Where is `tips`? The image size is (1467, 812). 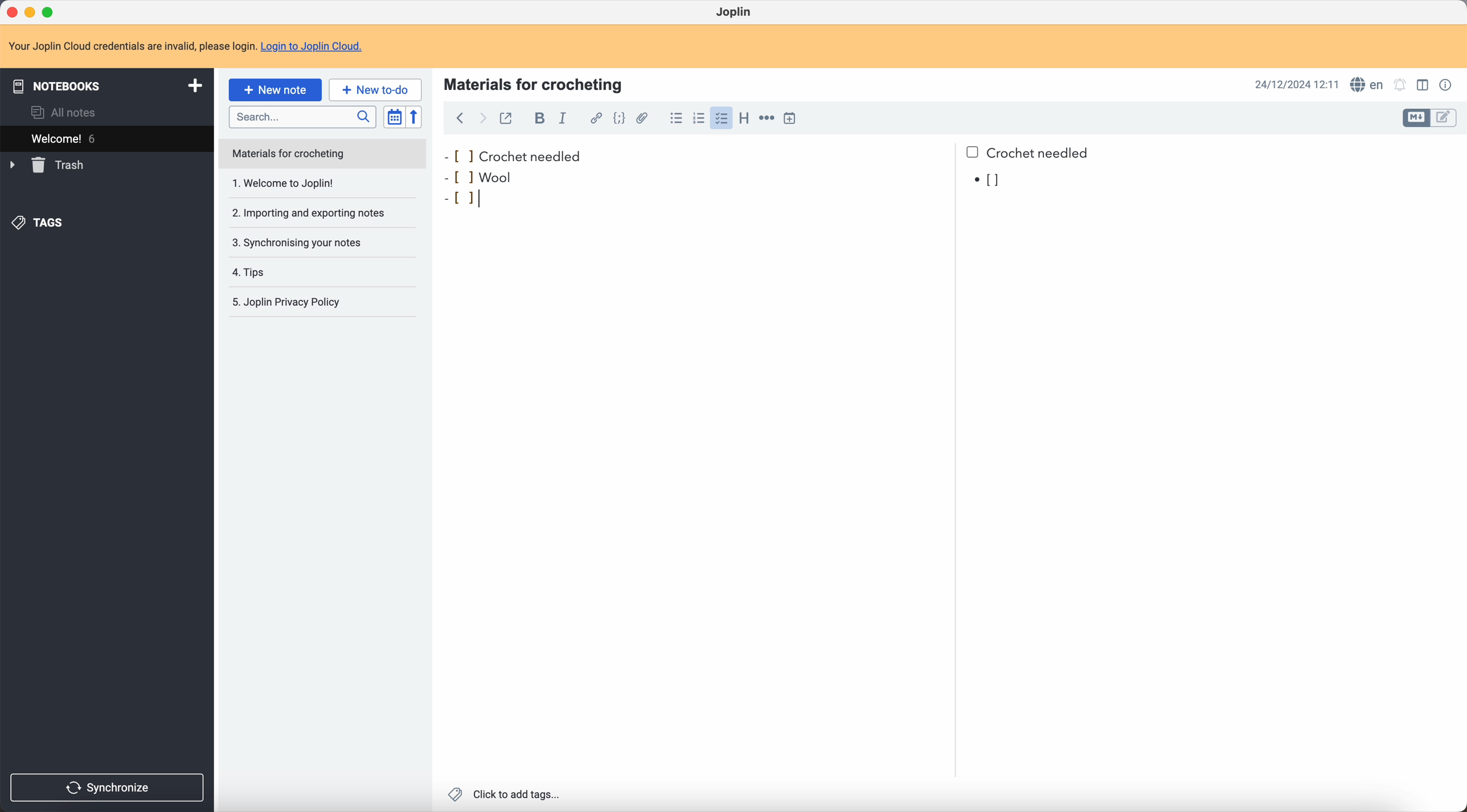
tips is located at coordinates (301, 272).